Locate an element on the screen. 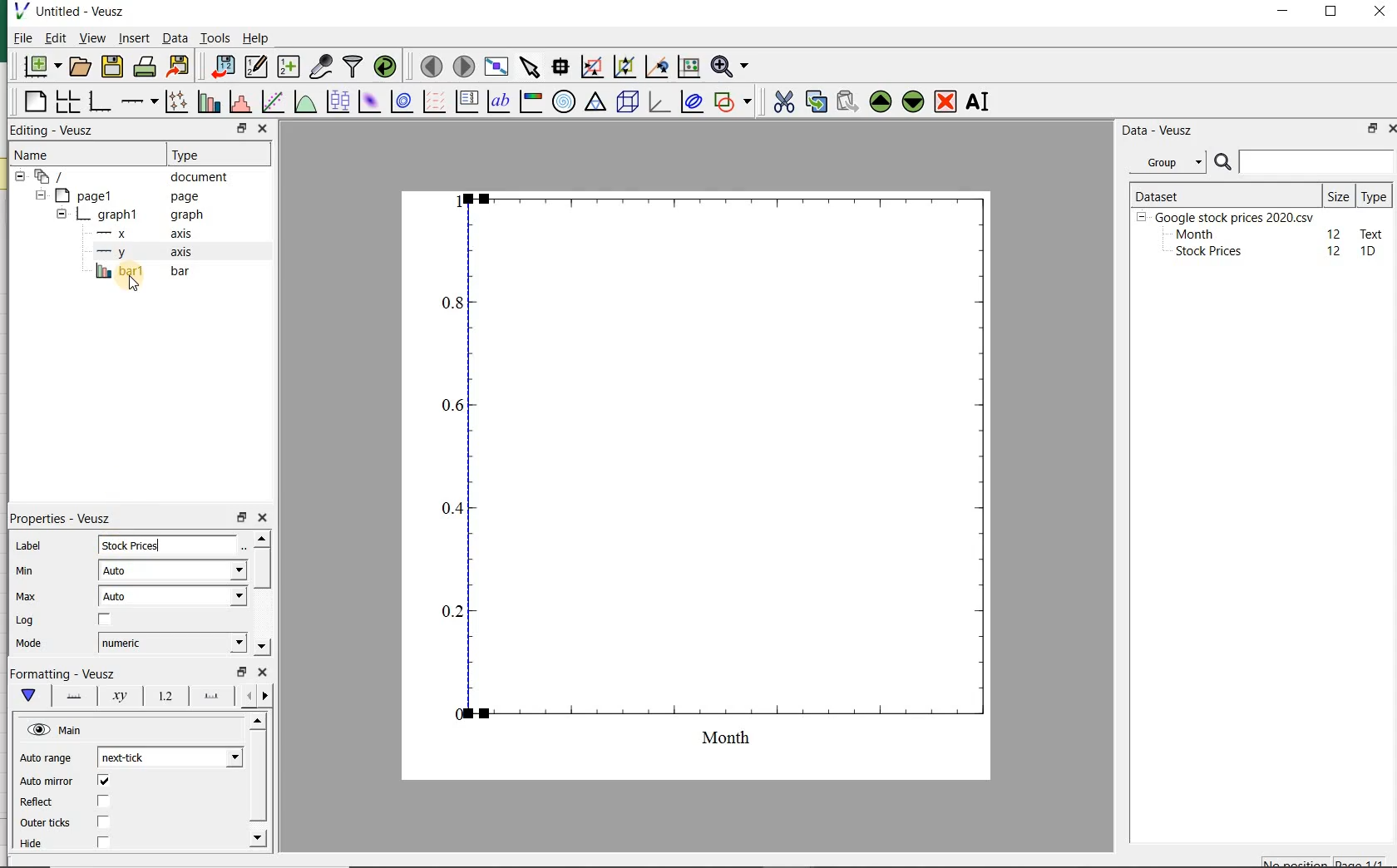  12 is located at coordinates (1335, 251).